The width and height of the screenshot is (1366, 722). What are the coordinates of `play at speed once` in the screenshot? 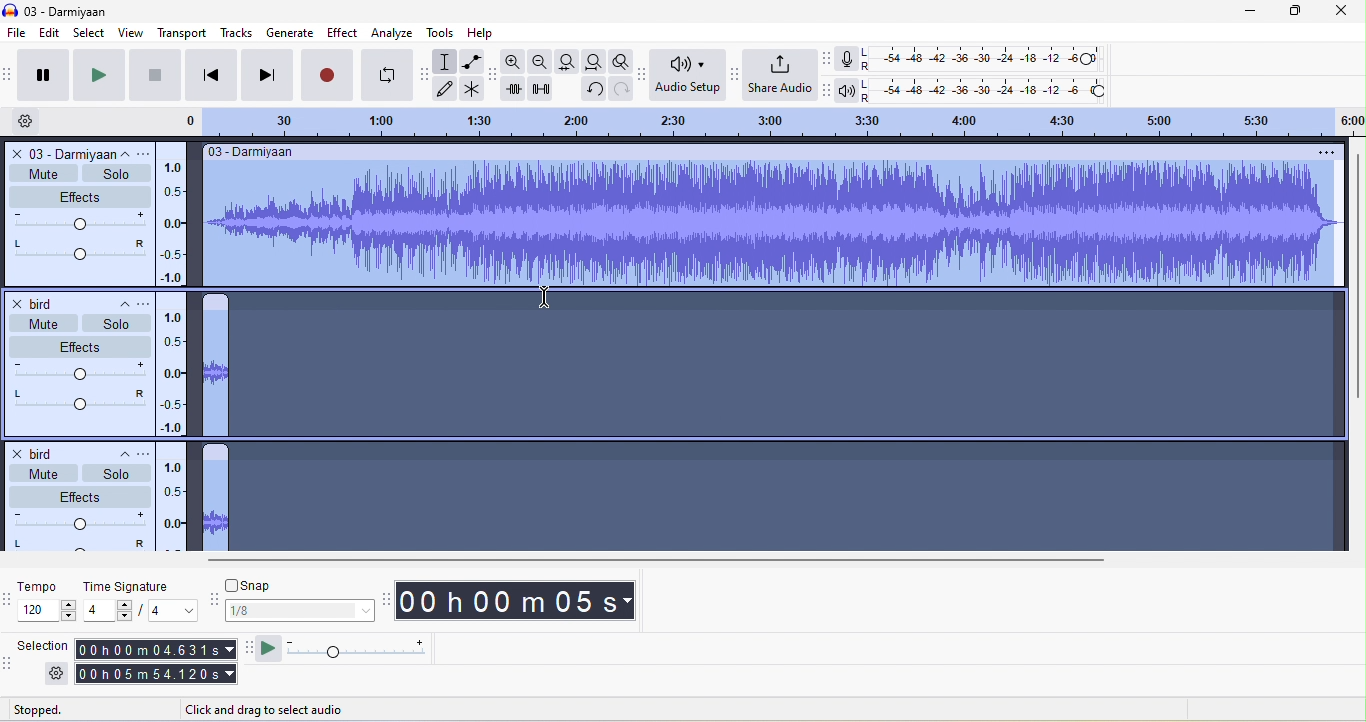 It's located at (270, 650).